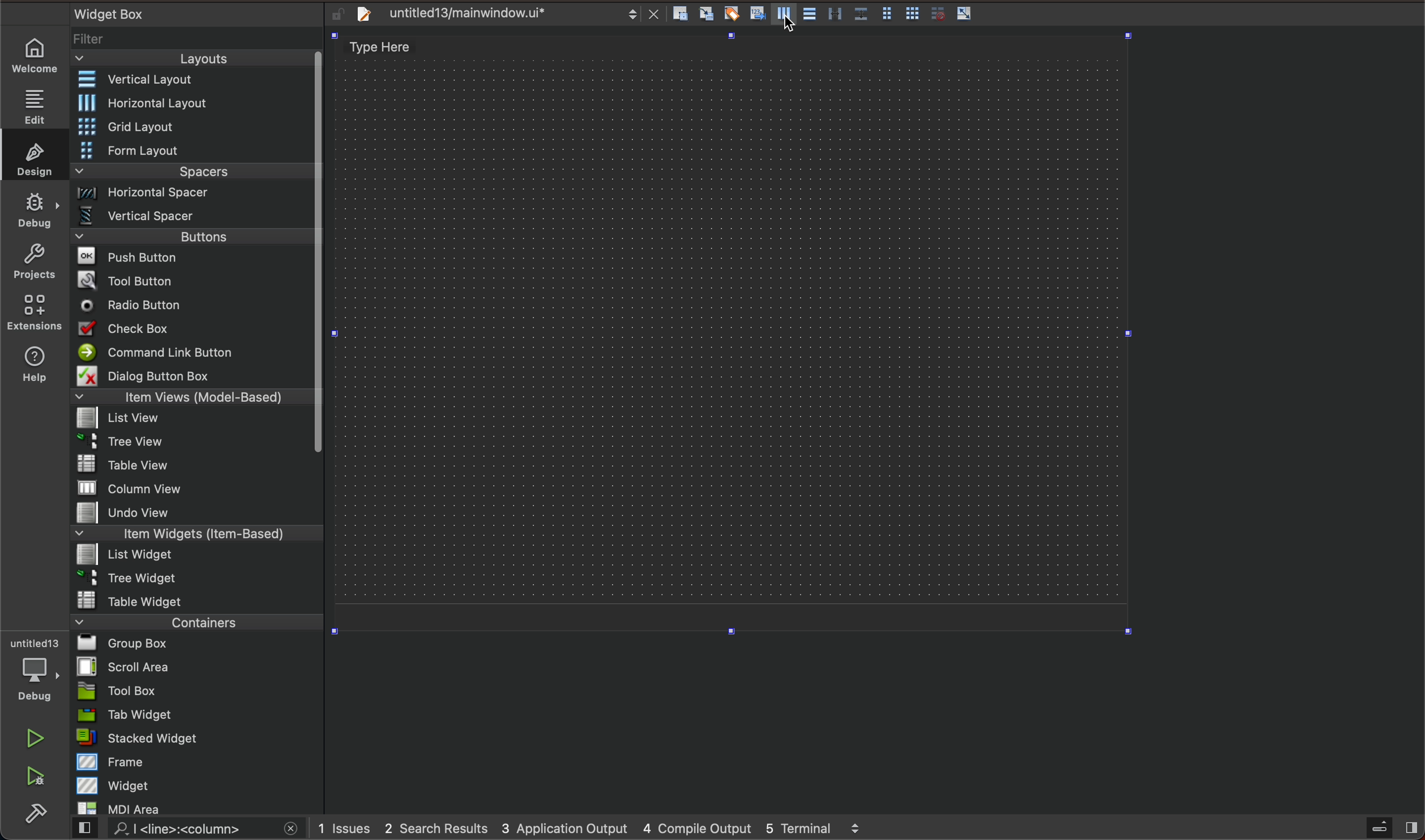 The image size is (1425, 840). Describe the element at coordinates (196, 621) in the screenshot. I see `containers` at that location.